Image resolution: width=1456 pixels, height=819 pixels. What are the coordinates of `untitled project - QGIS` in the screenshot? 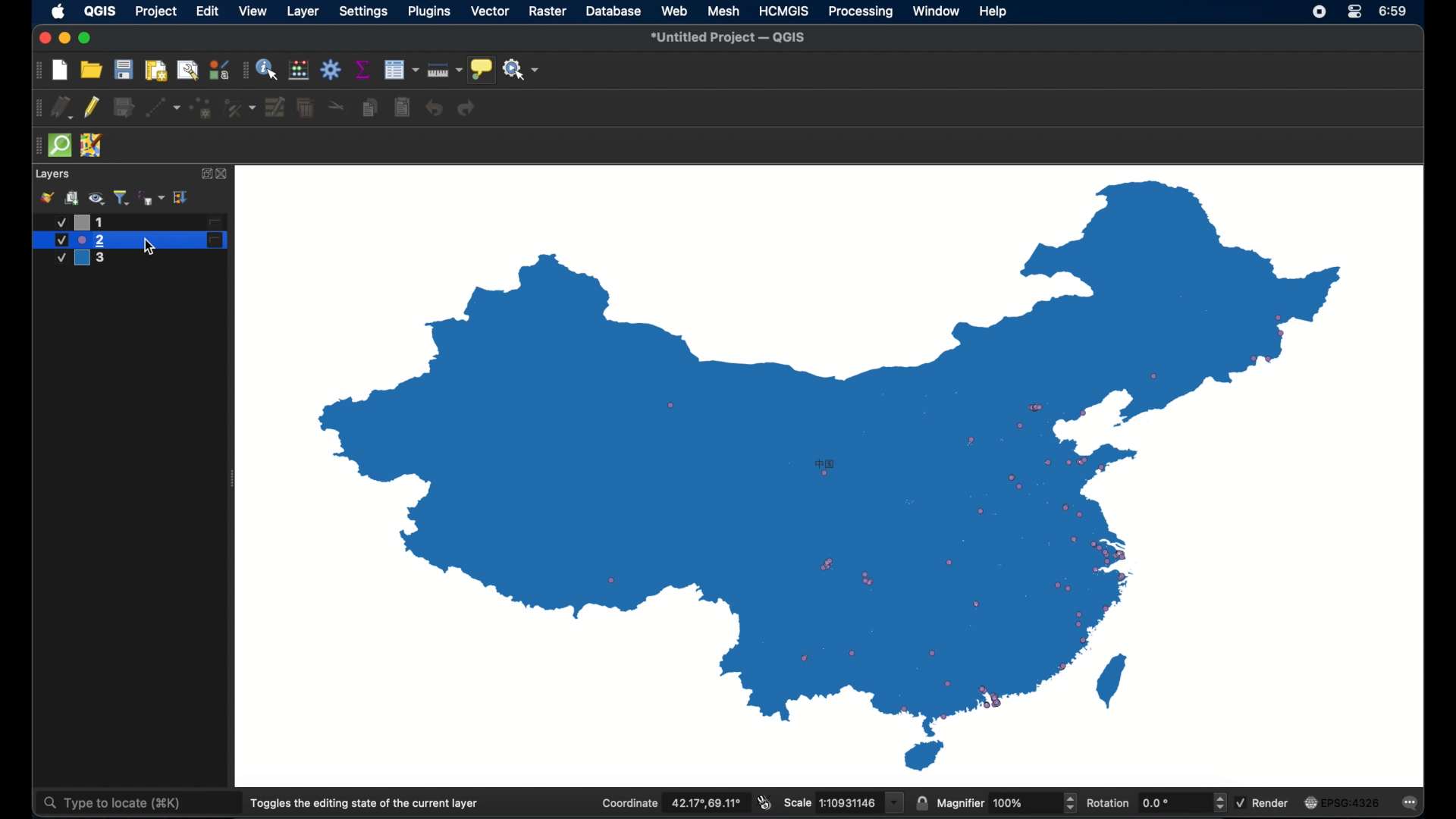 It's located at (728, 38).